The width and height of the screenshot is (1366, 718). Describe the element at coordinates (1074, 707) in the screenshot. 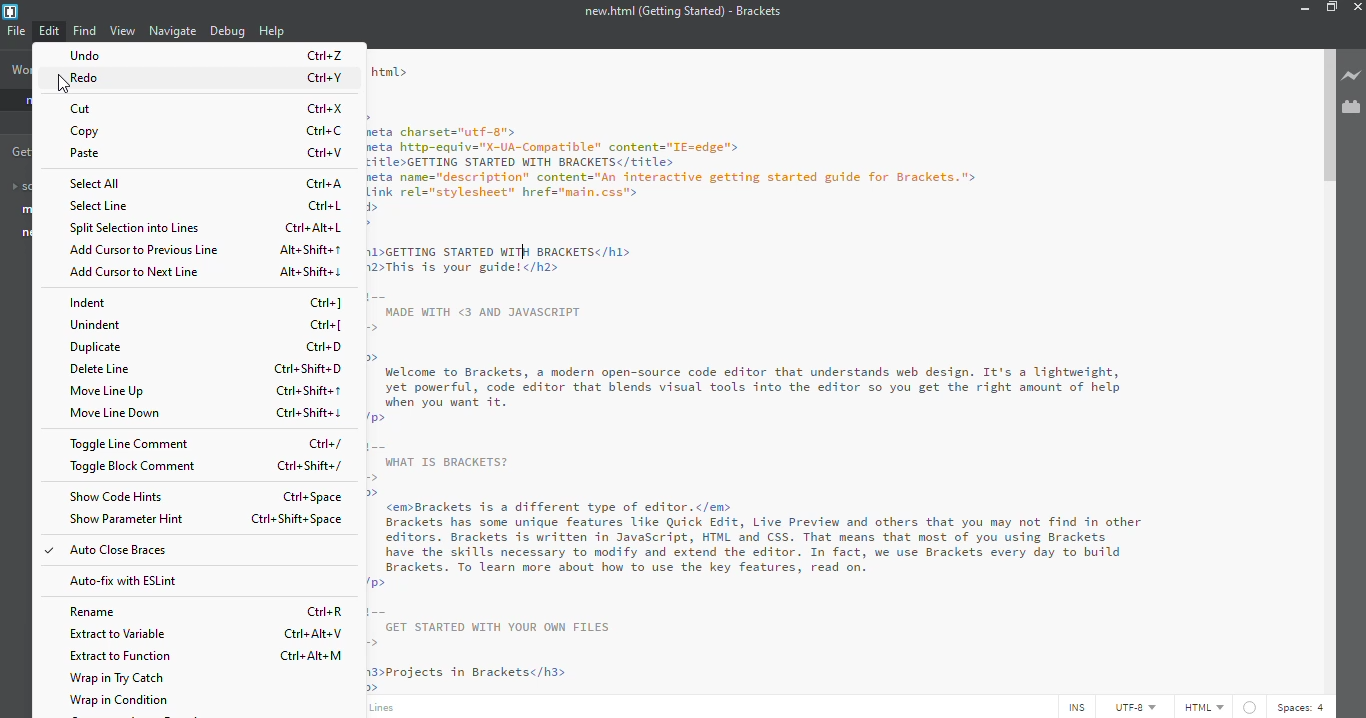

I see `ins` at that location.